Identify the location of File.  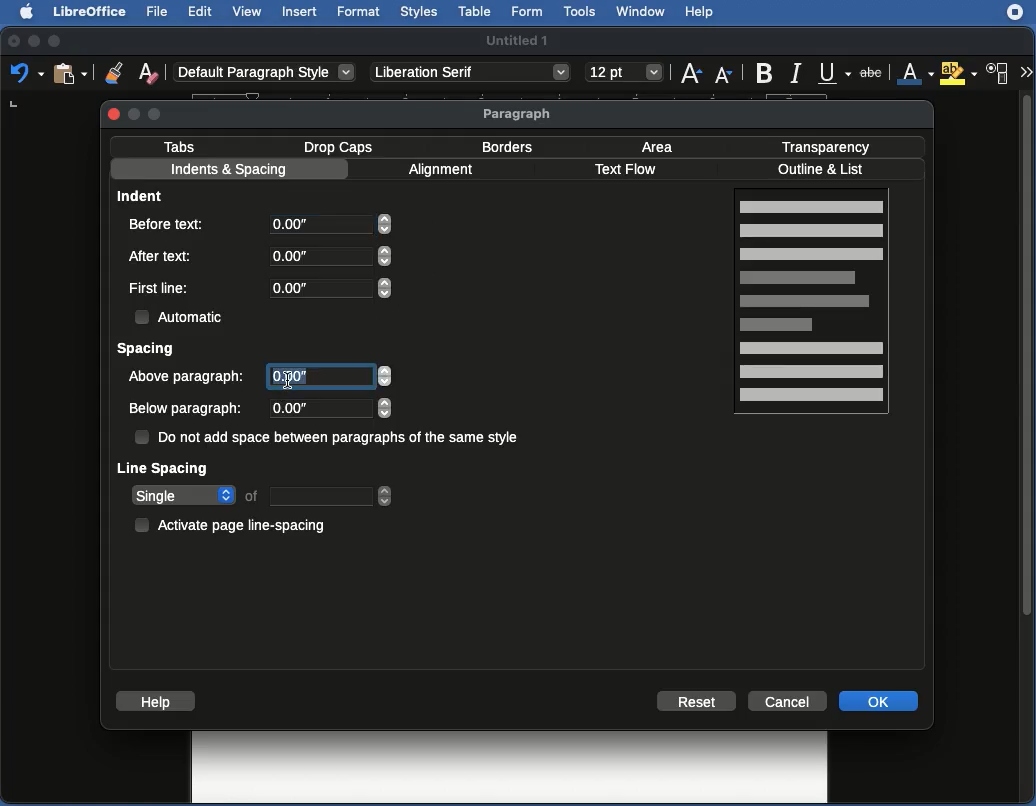
(155, 12).